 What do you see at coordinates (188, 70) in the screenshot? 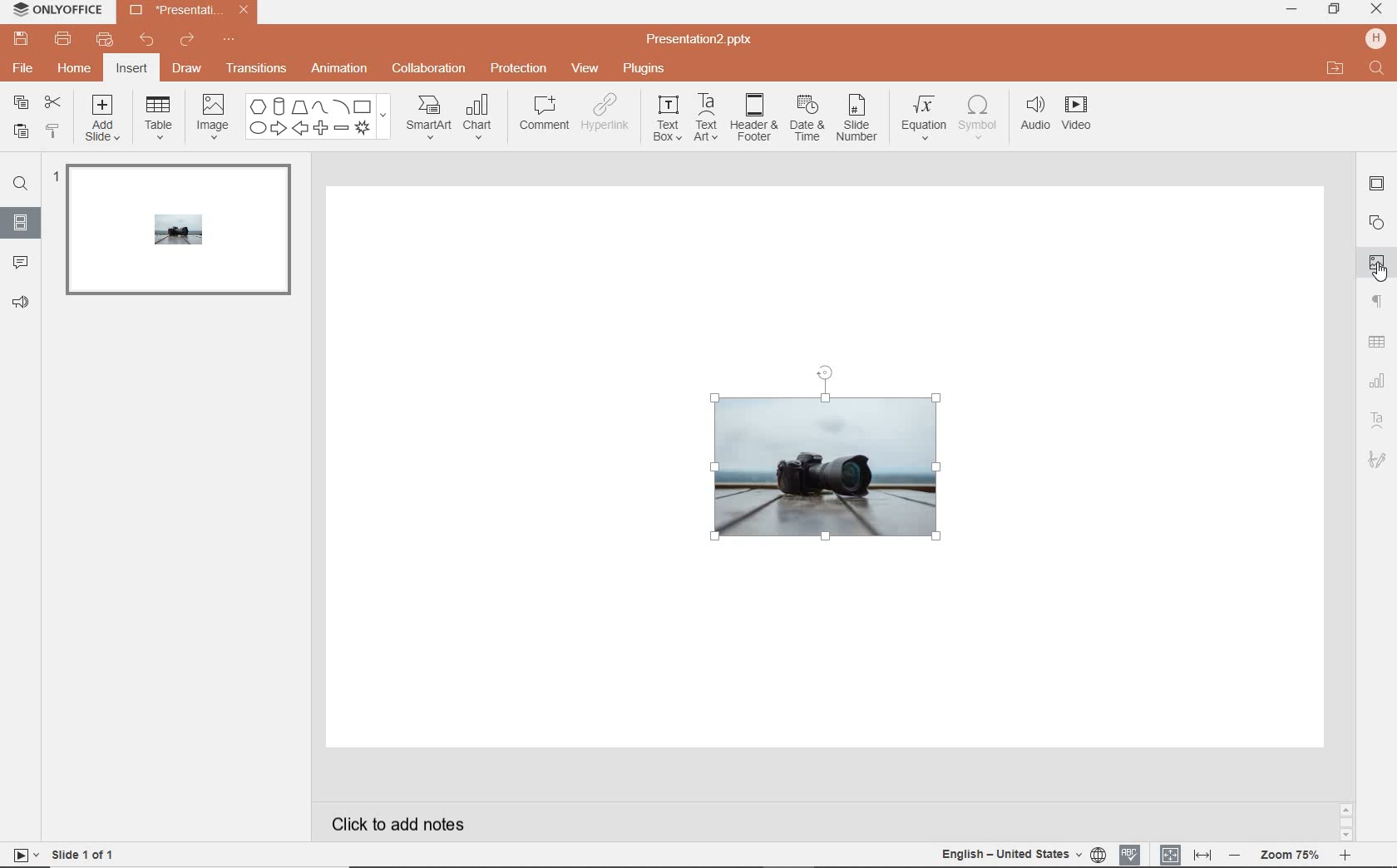
I see `draw` at bounding box center [188, 70].